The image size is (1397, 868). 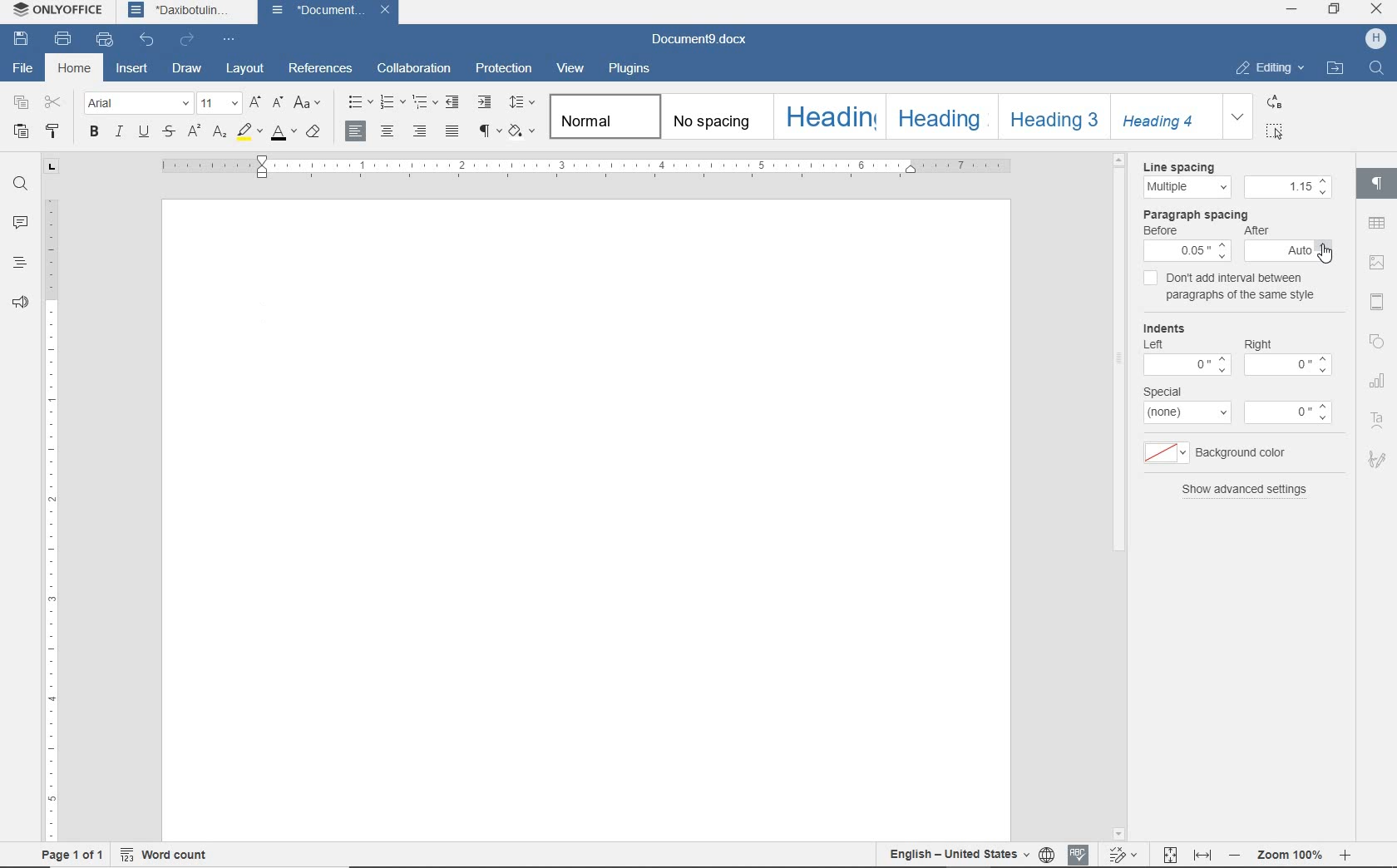 I want to click on justified, so click(x=454, y=132).